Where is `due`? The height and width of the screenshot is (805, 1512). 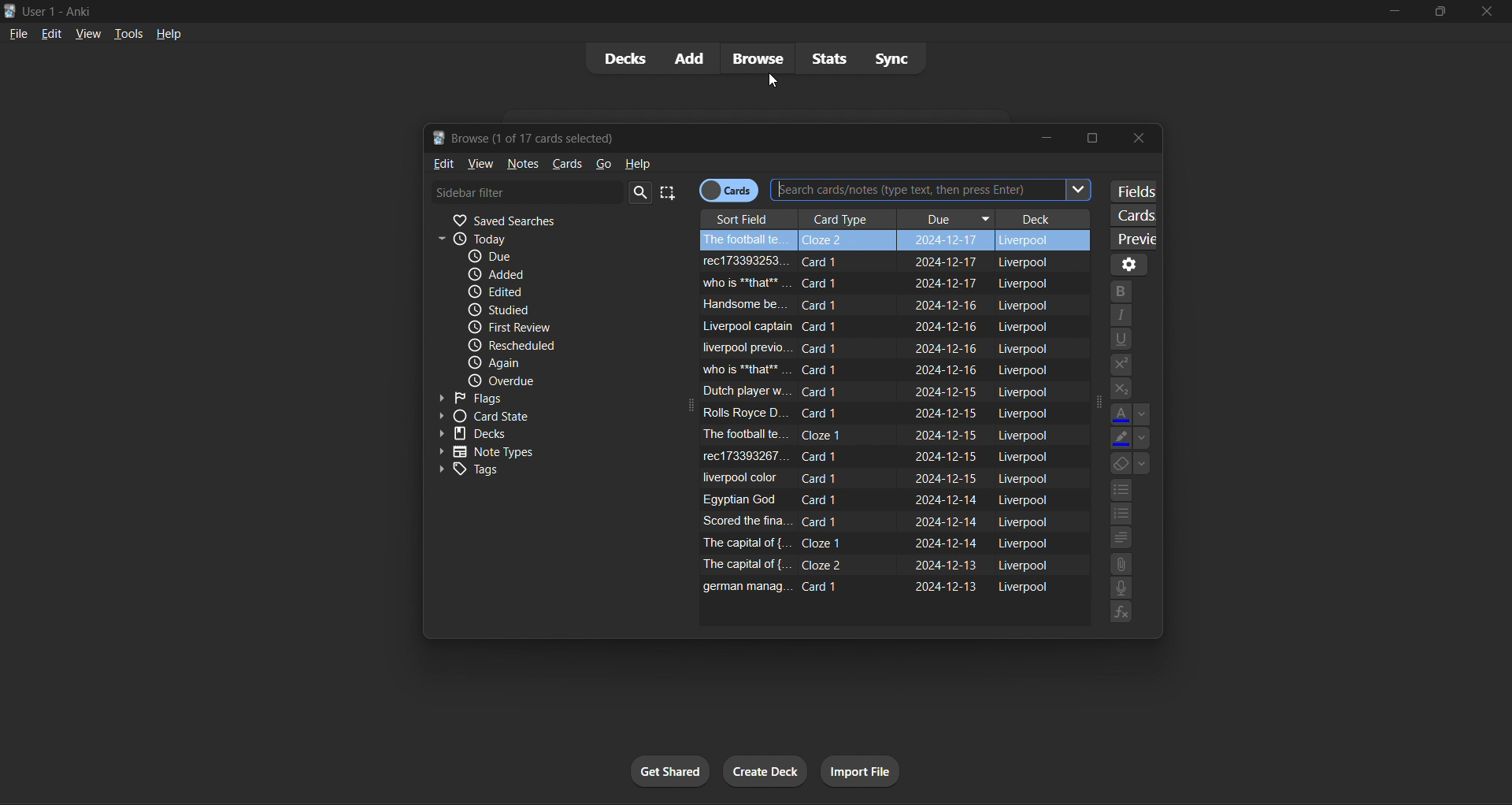
due is located at coordinates (550, 257).